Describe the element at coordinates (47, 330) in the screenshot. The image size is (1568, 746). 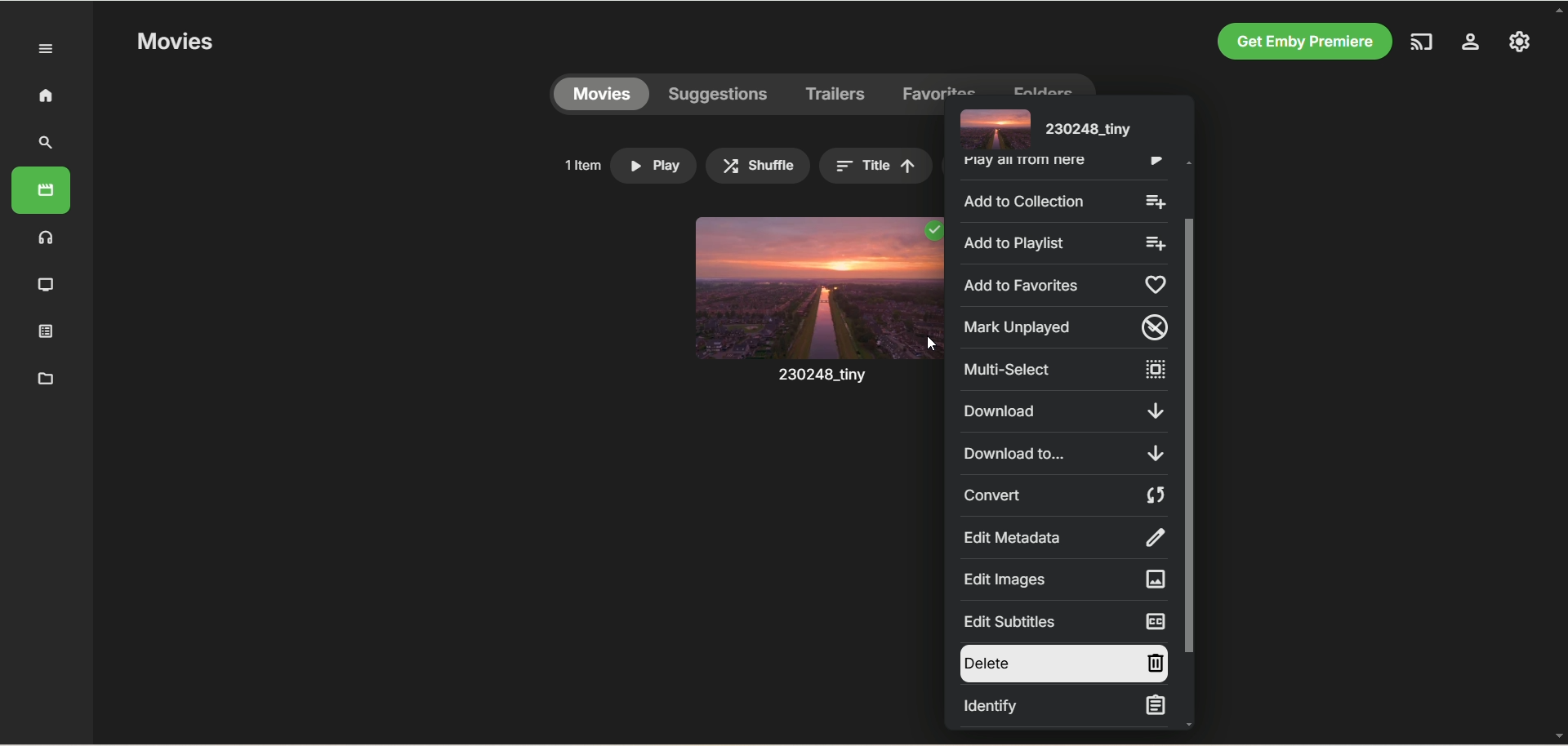
I see `playlist` at that location.